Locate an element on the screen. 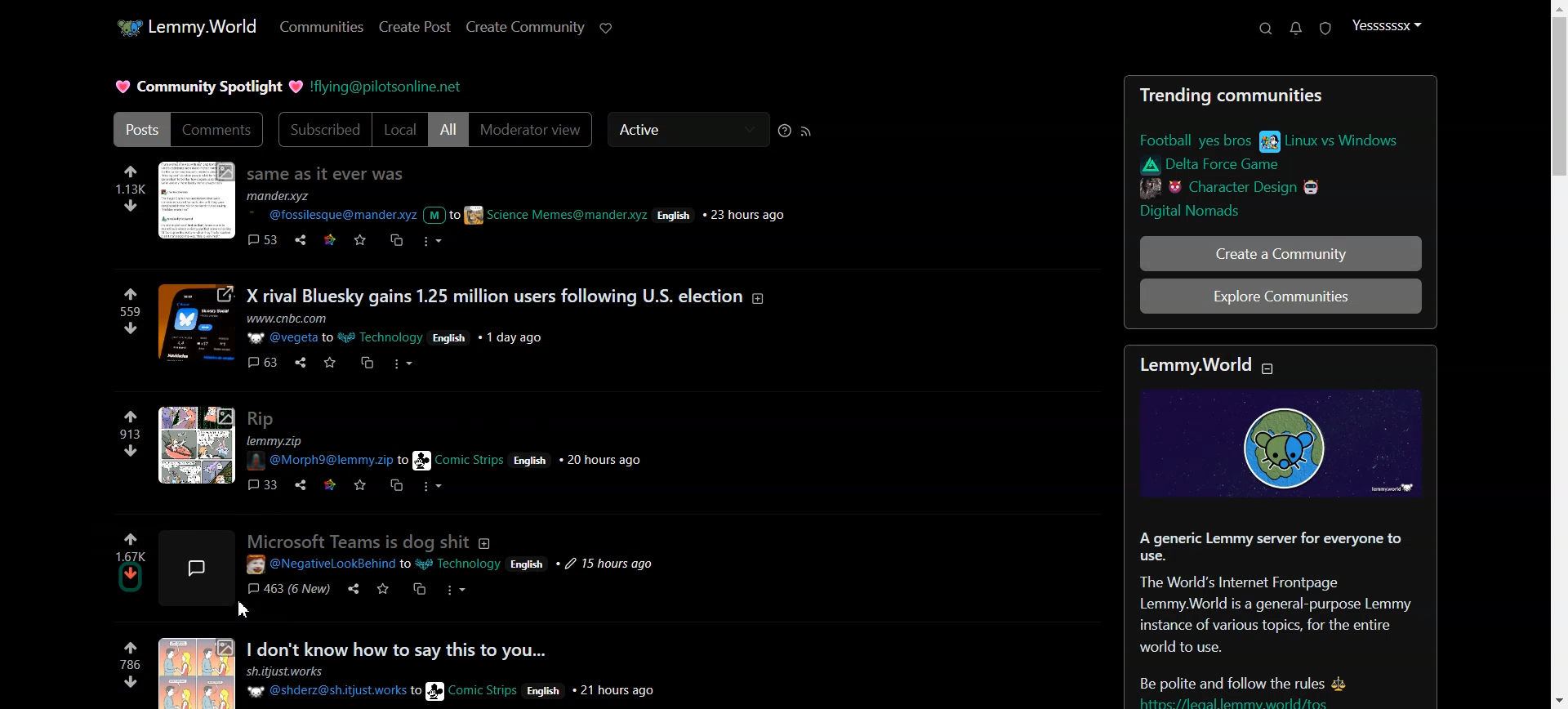  down is located at coordinates (129, 451).